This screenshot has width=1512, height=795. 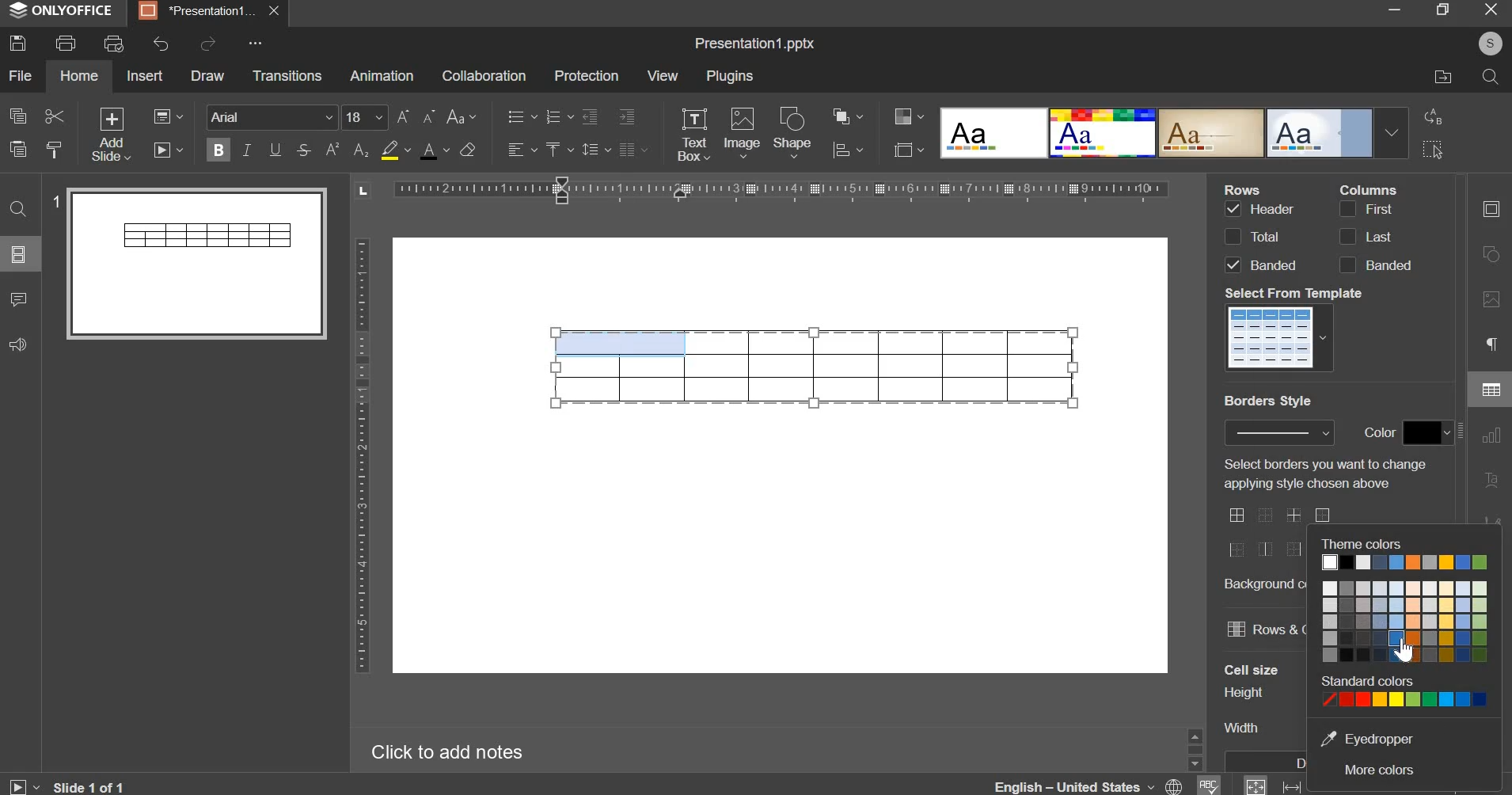 I want to click on file location, so click(x=1443, y=75).